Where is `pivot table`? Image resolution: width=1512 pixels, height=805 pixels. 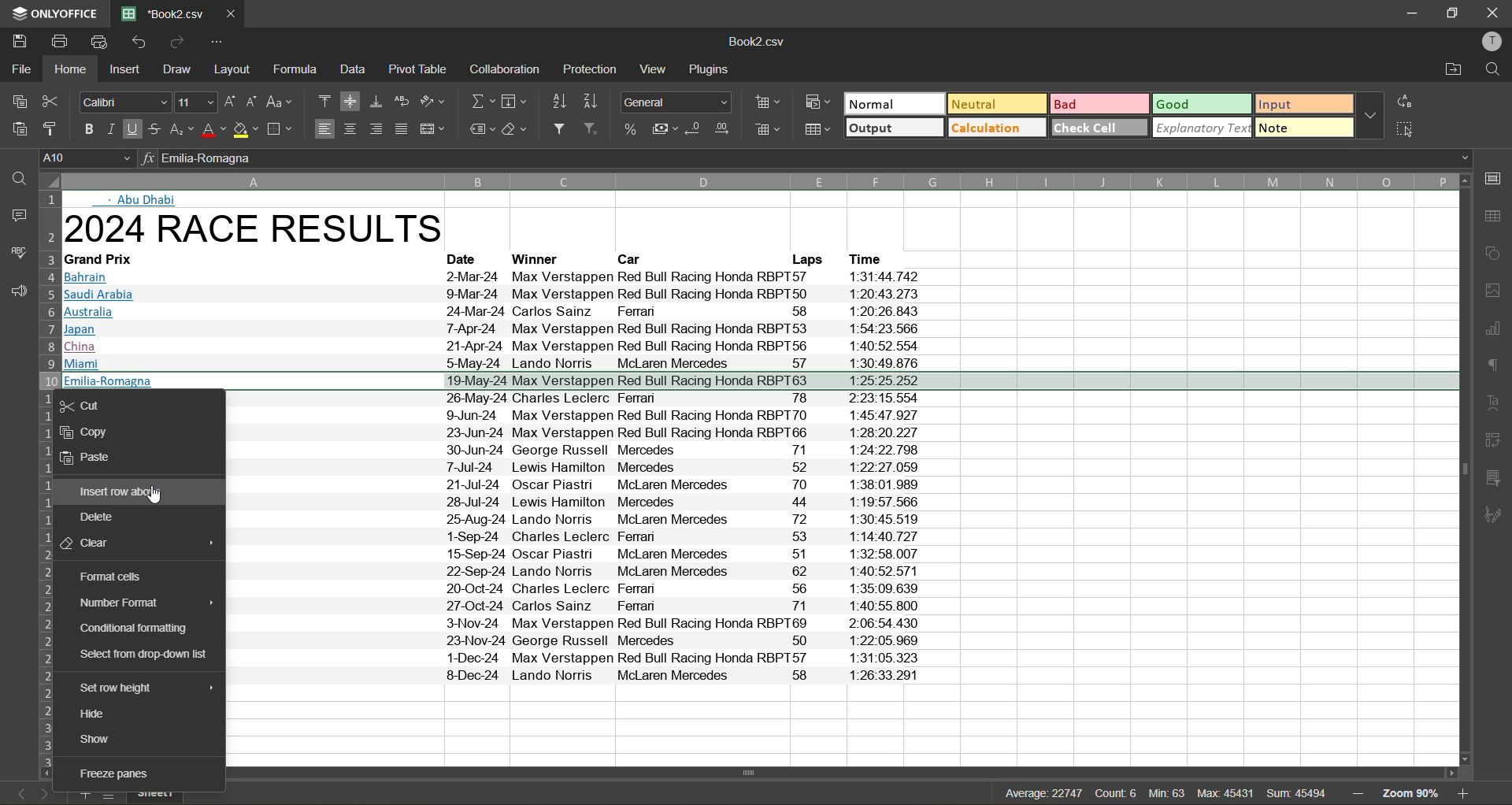
pivot table is located at coordinates (1499, 443).